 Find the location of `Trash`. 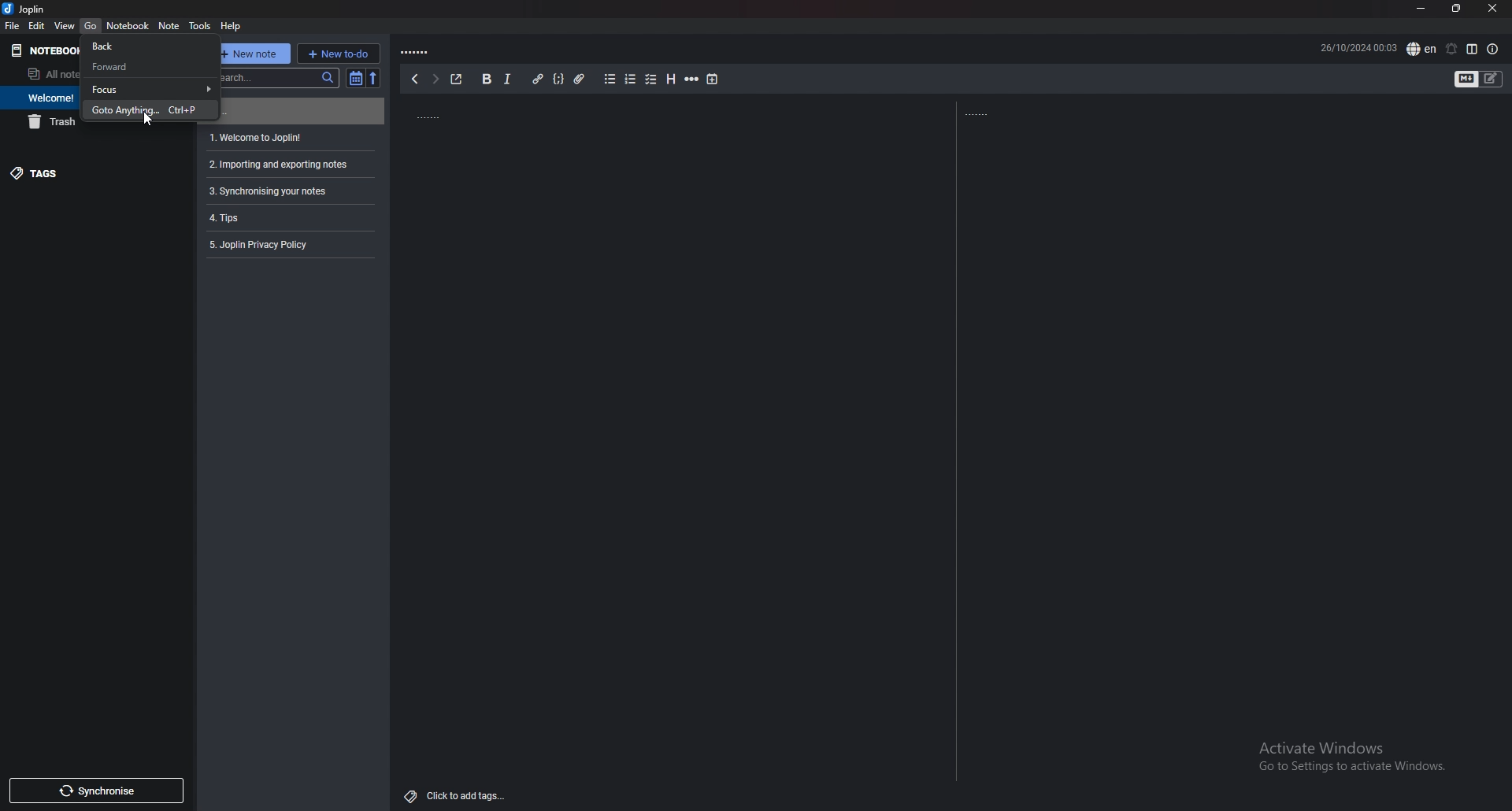

Trash is located at coordinates (46, 124).